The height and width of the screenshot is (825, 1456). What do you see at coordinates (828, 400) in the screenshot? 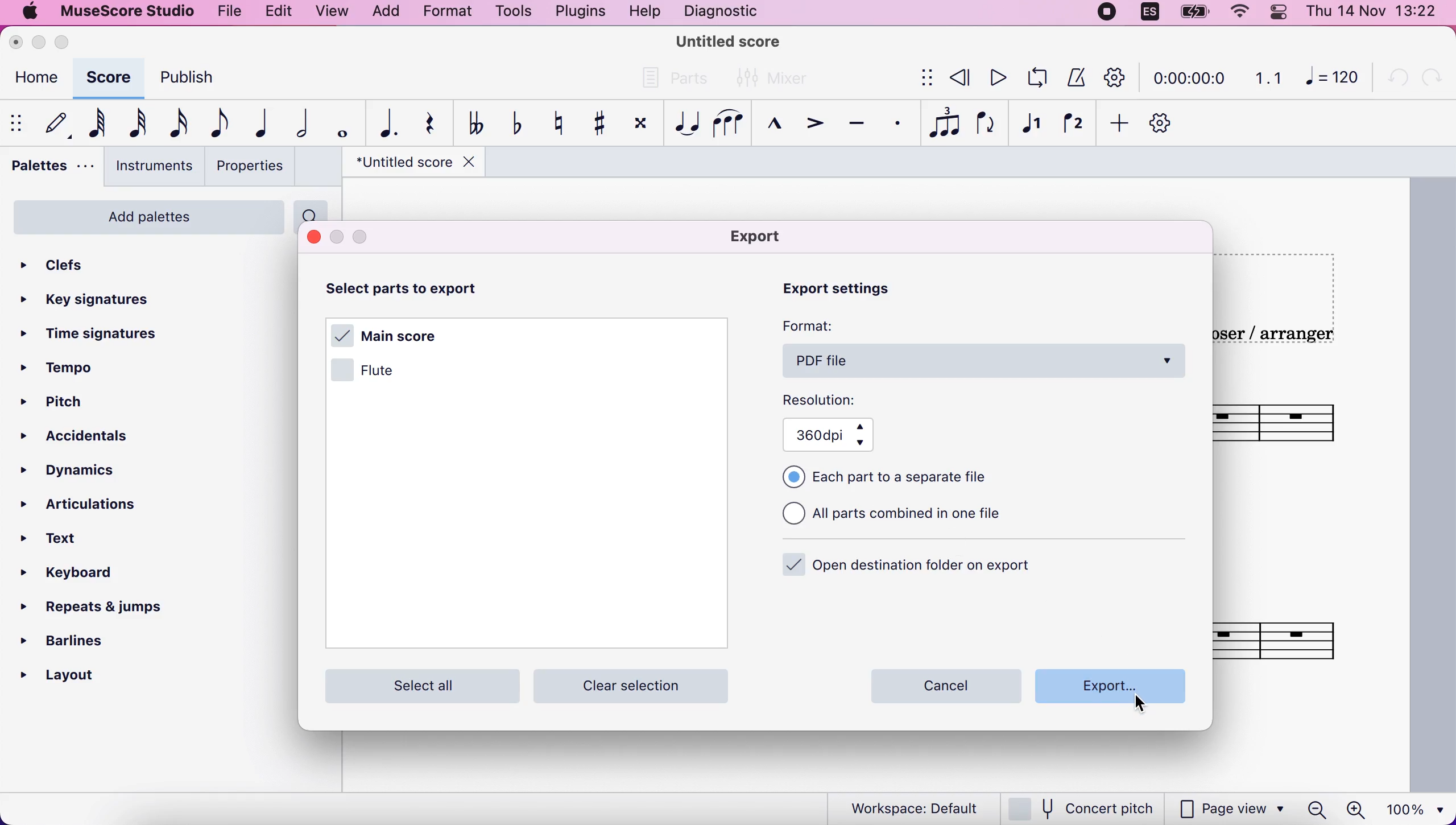
I see `resolution` at bounding box center [828, 400].